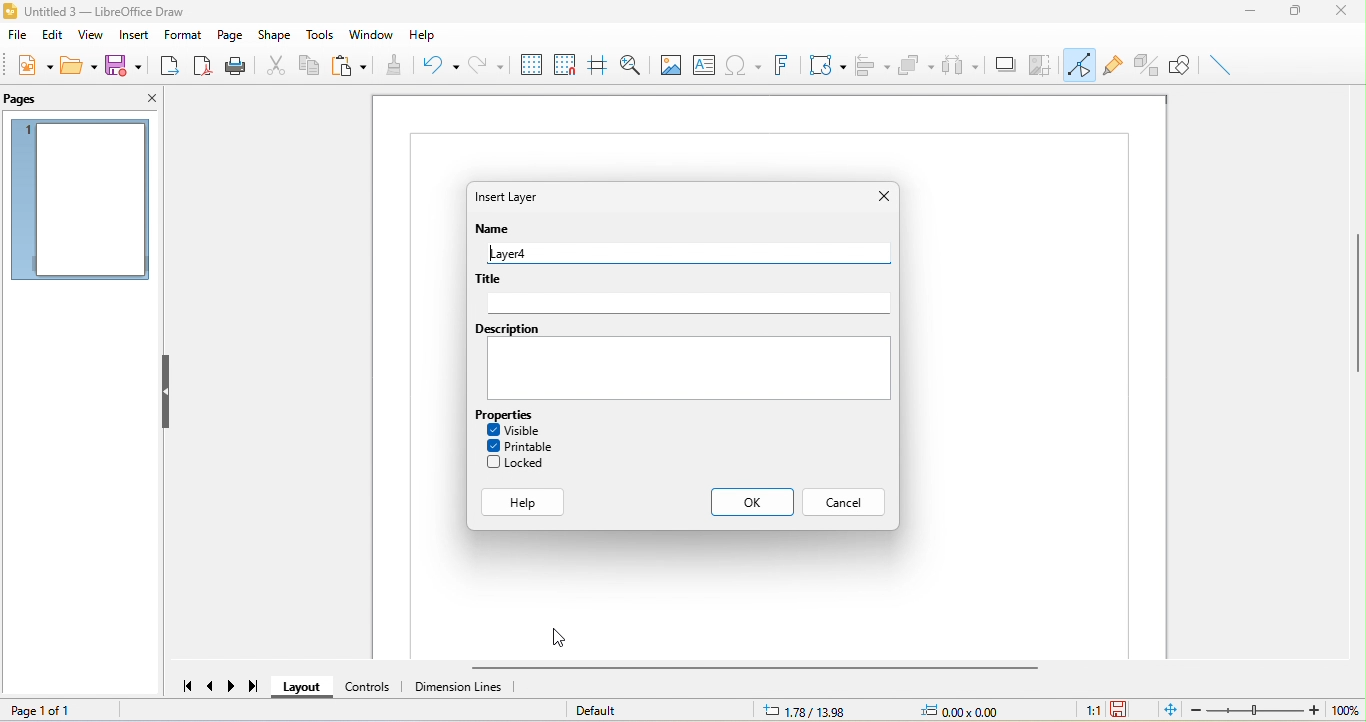  Describe the element at coordinates (496, 229) in the screenshot. I see `Name` at that location.